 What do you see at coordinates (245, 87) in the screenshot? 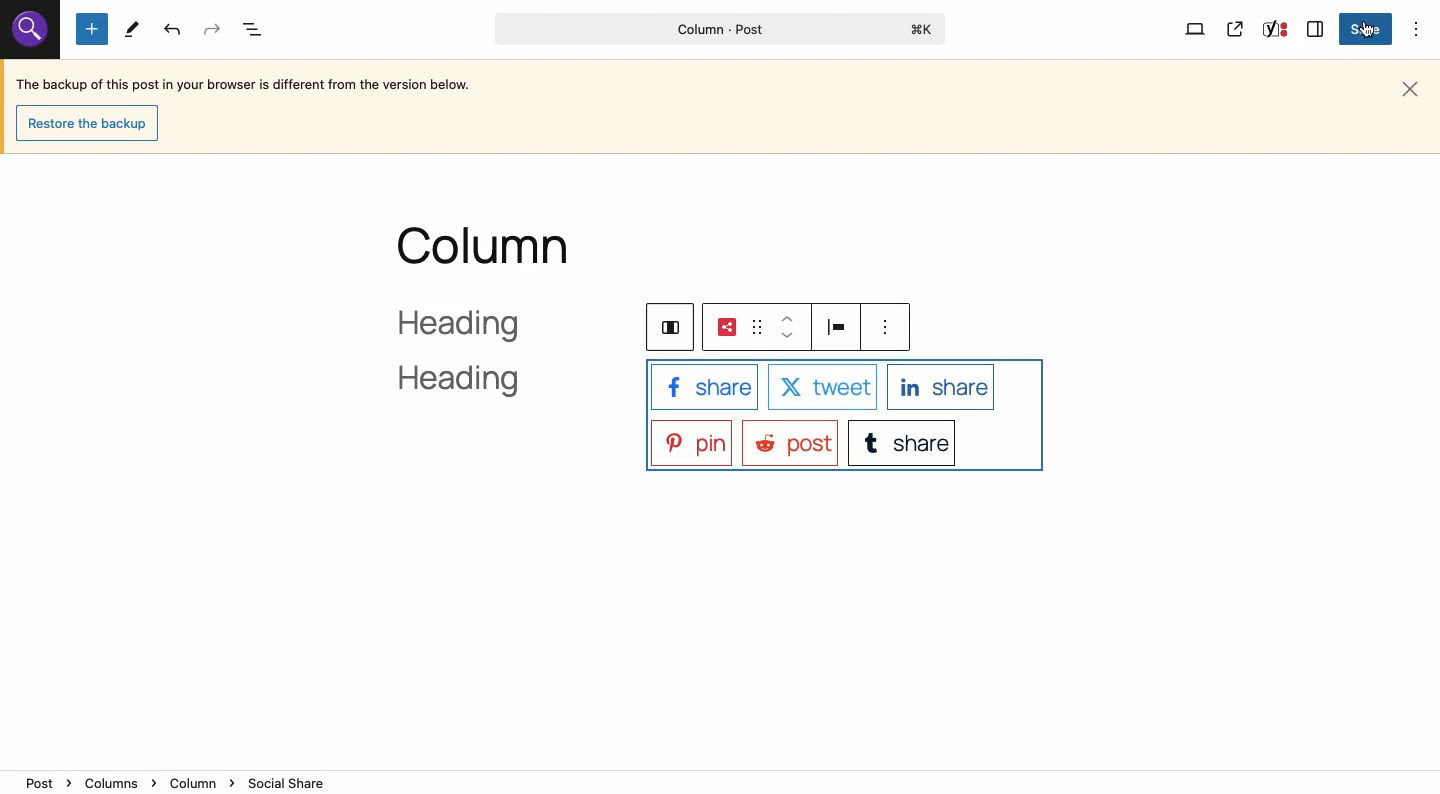
I see `Backup` at bounding box center [245, 87].